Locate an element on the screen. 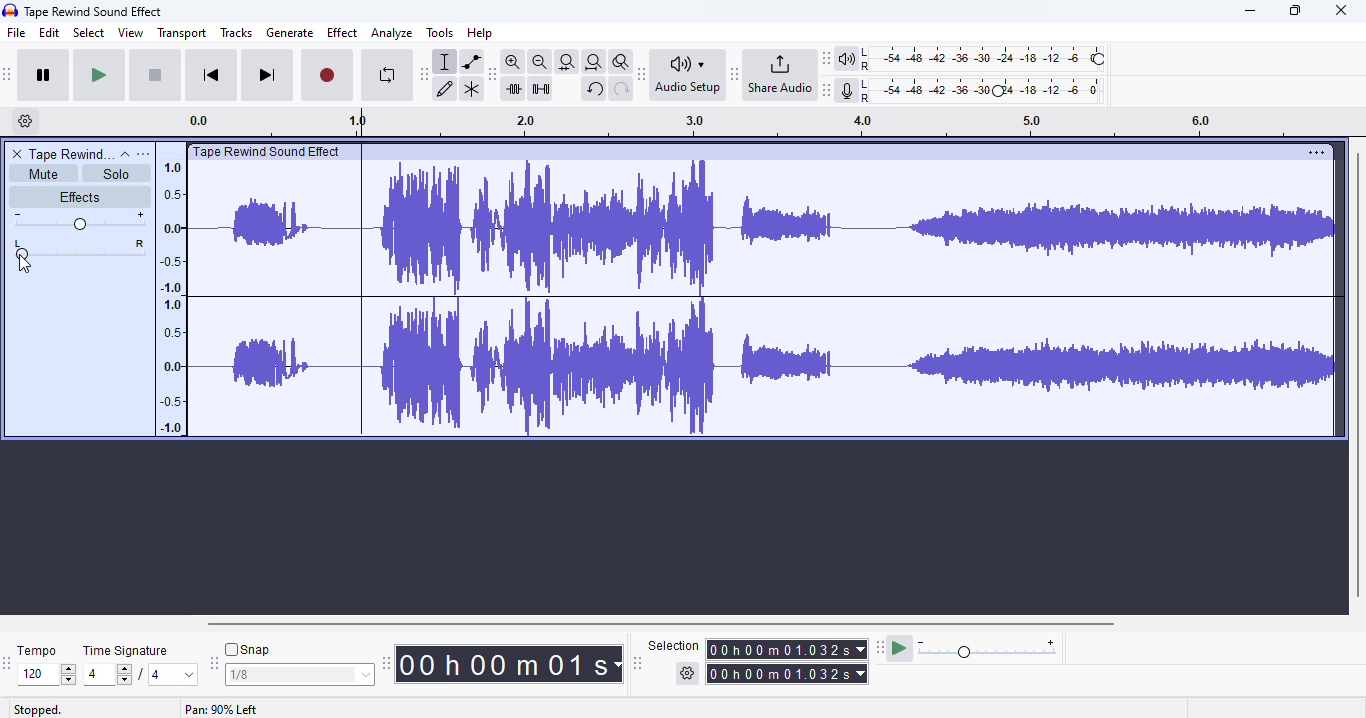 The height and width of the screenshot is (718, 1366). open menu is located at coordinates (143, 154).